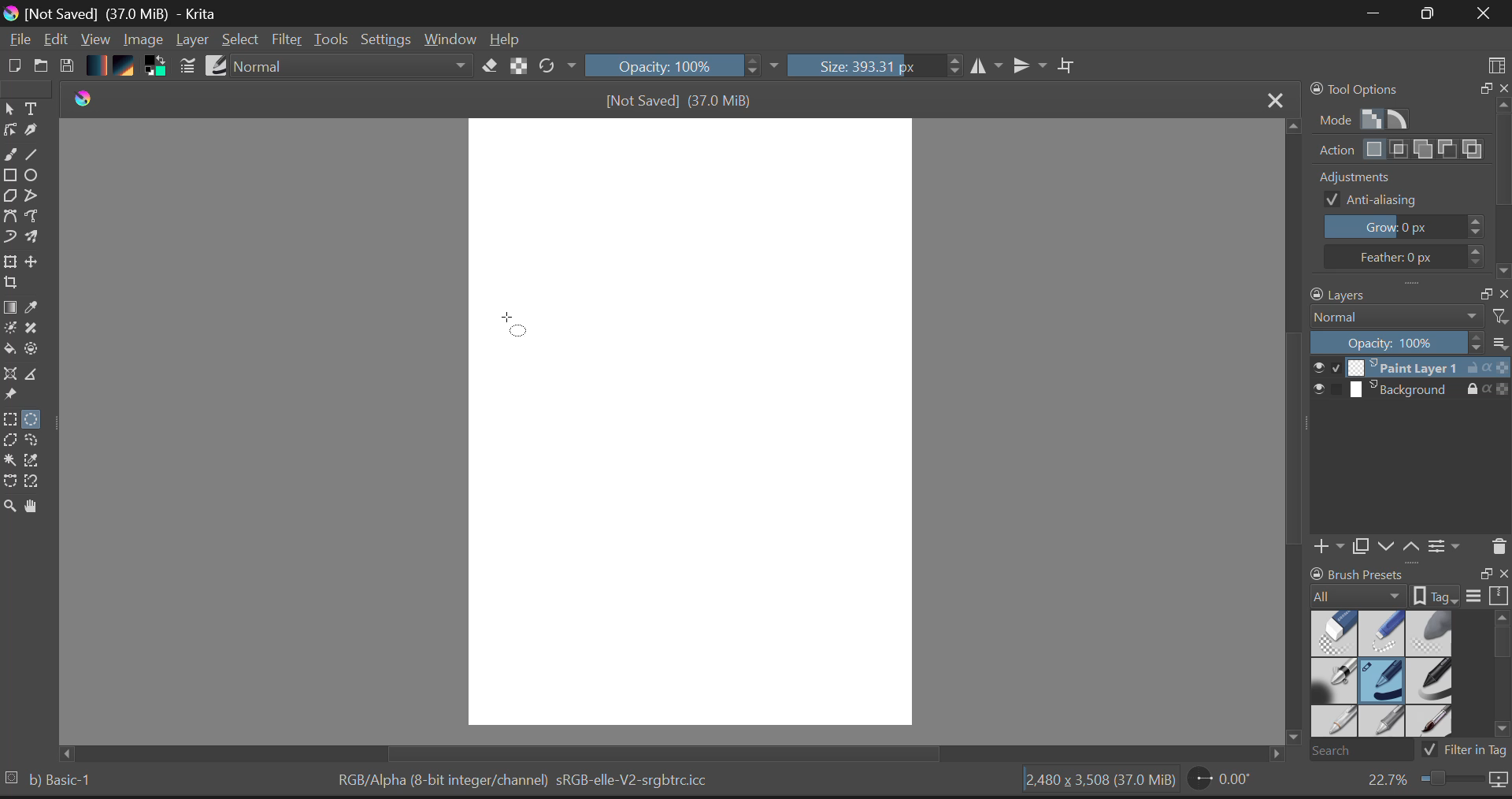 This screenshot has height=799, width=1512. I want to click on Bezier Curve, so click(10, 481).